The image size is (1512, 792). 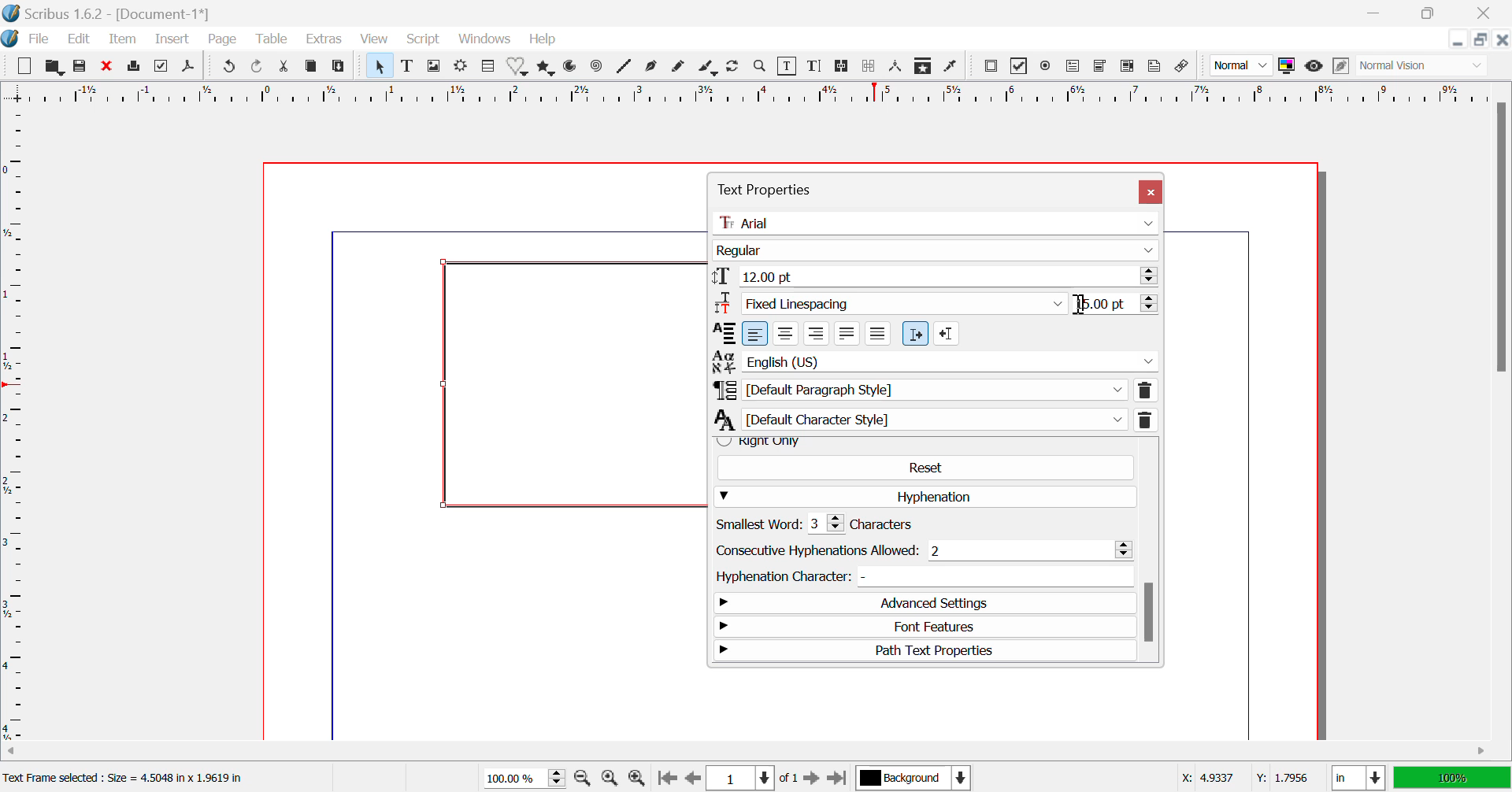 I want to click on Undo, so click(x=228, y=68).